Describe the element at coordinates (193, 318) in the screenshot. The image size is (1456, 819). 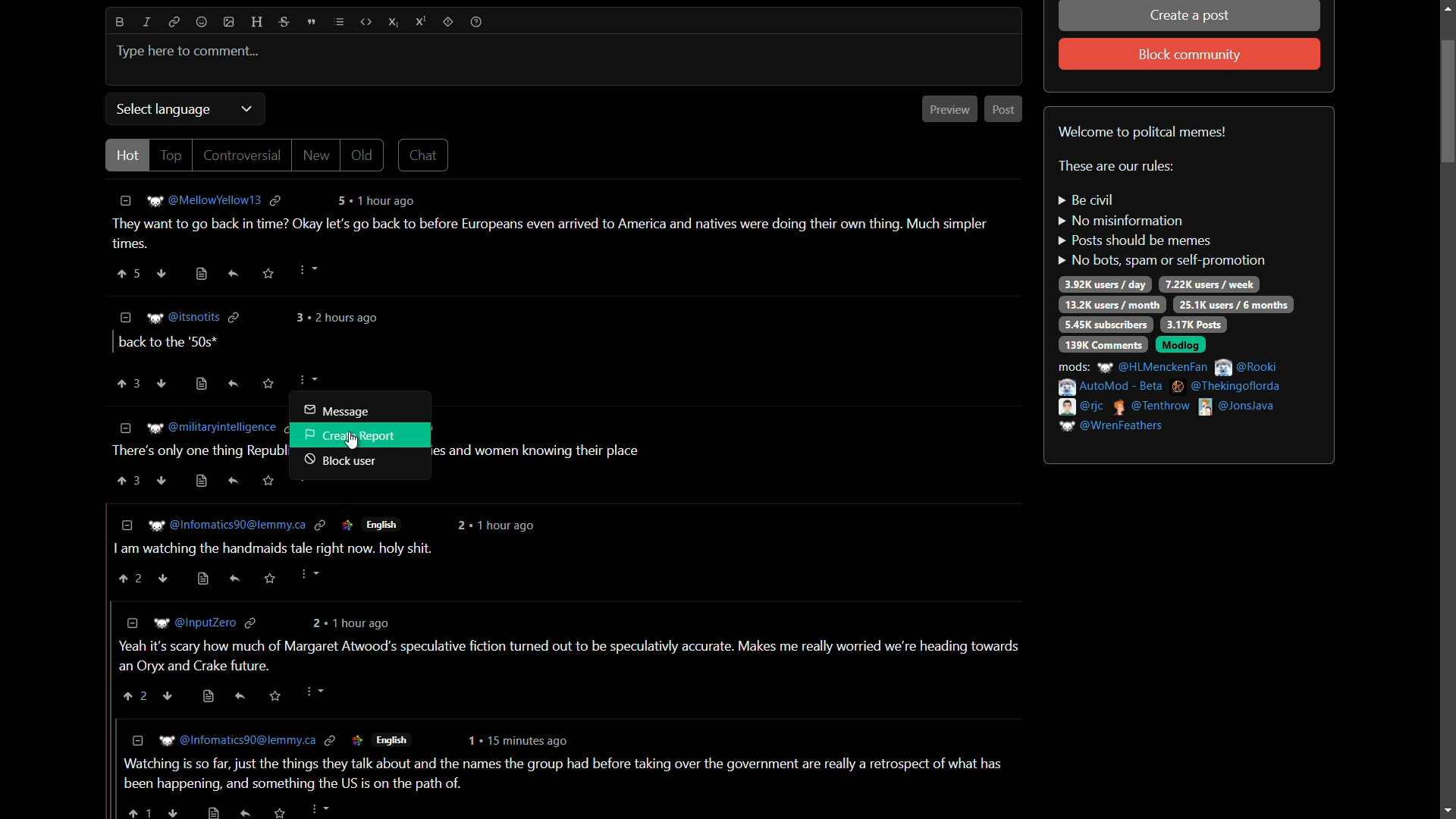
I see `username` at that location.